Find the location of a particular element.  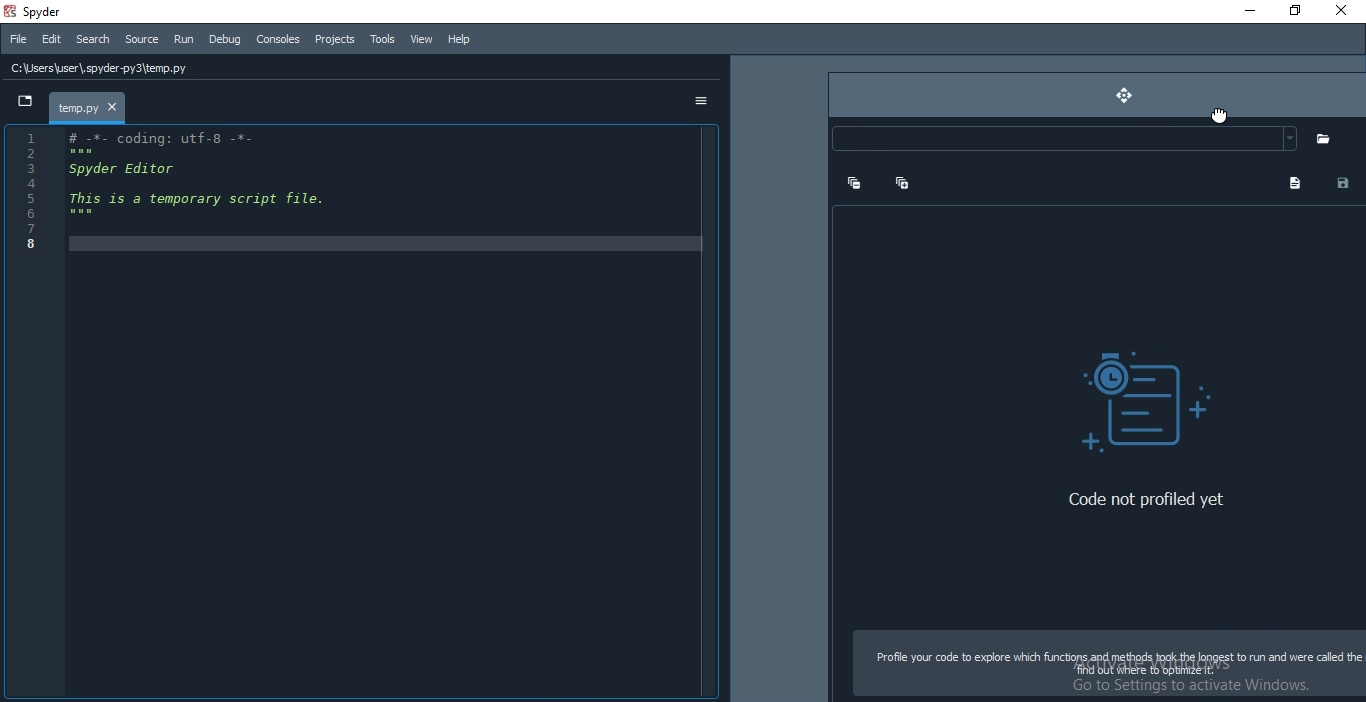

moved window is located at coordinates (1095, 386).